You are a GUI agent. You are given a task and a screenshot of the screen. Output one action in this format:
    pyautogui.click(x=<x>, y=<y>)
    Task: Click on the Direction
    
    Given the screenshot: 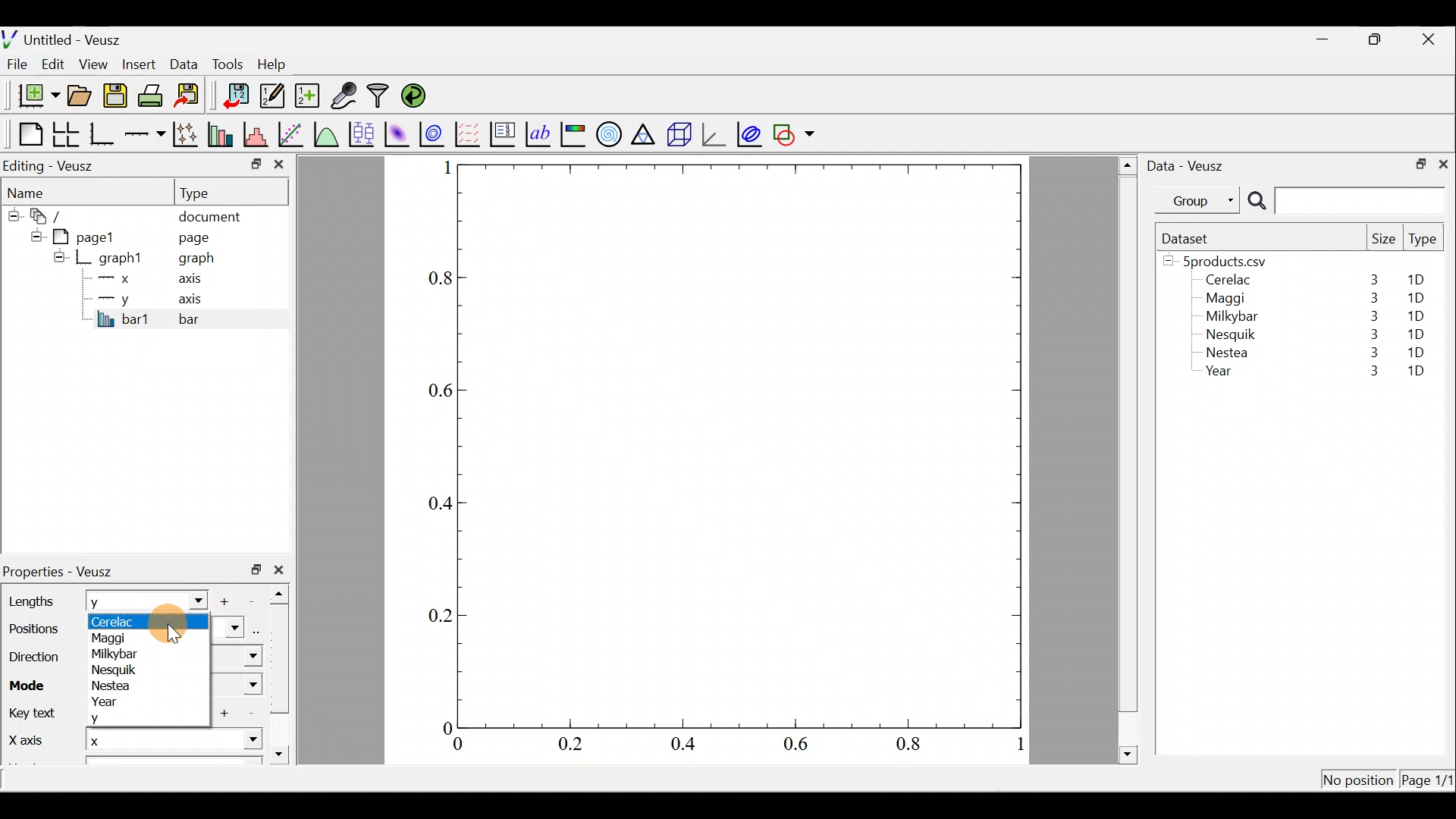 What is the action you would take?
    pyautogui.click(x=38, y=659)
    